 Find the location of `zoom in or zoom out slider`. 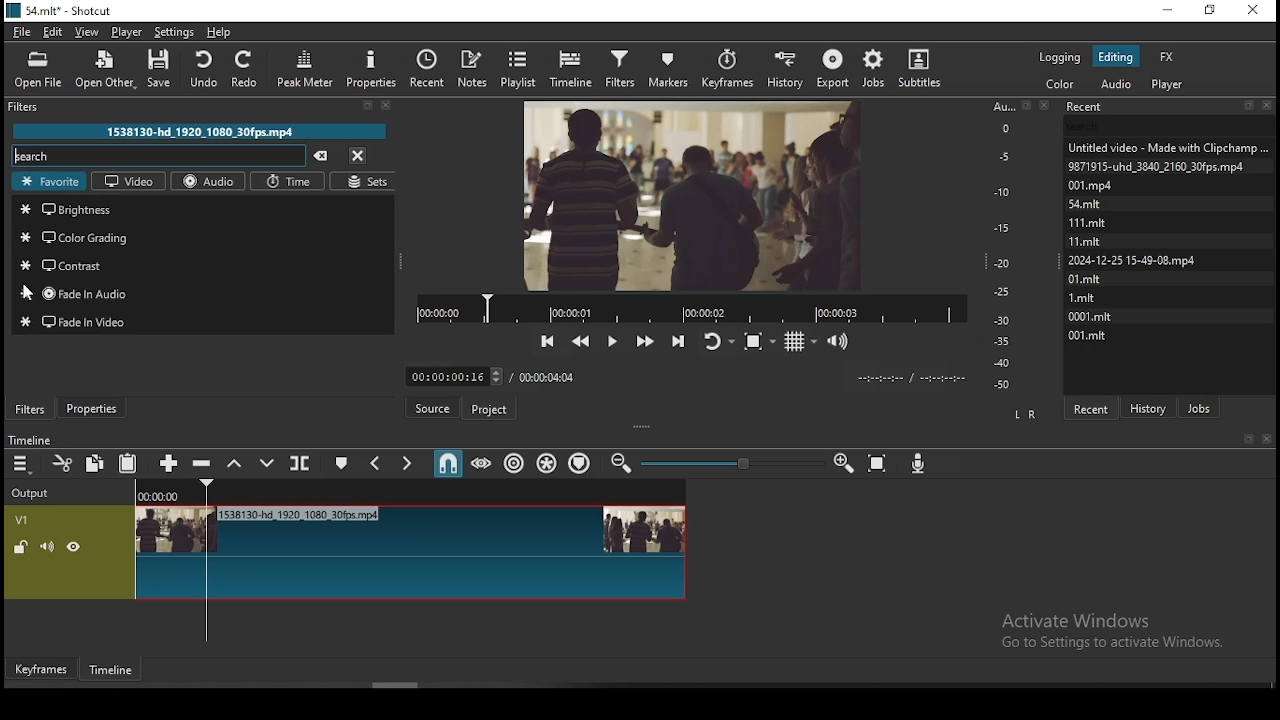

zoom in or zoom out slider is located at coordinates (732, 465).